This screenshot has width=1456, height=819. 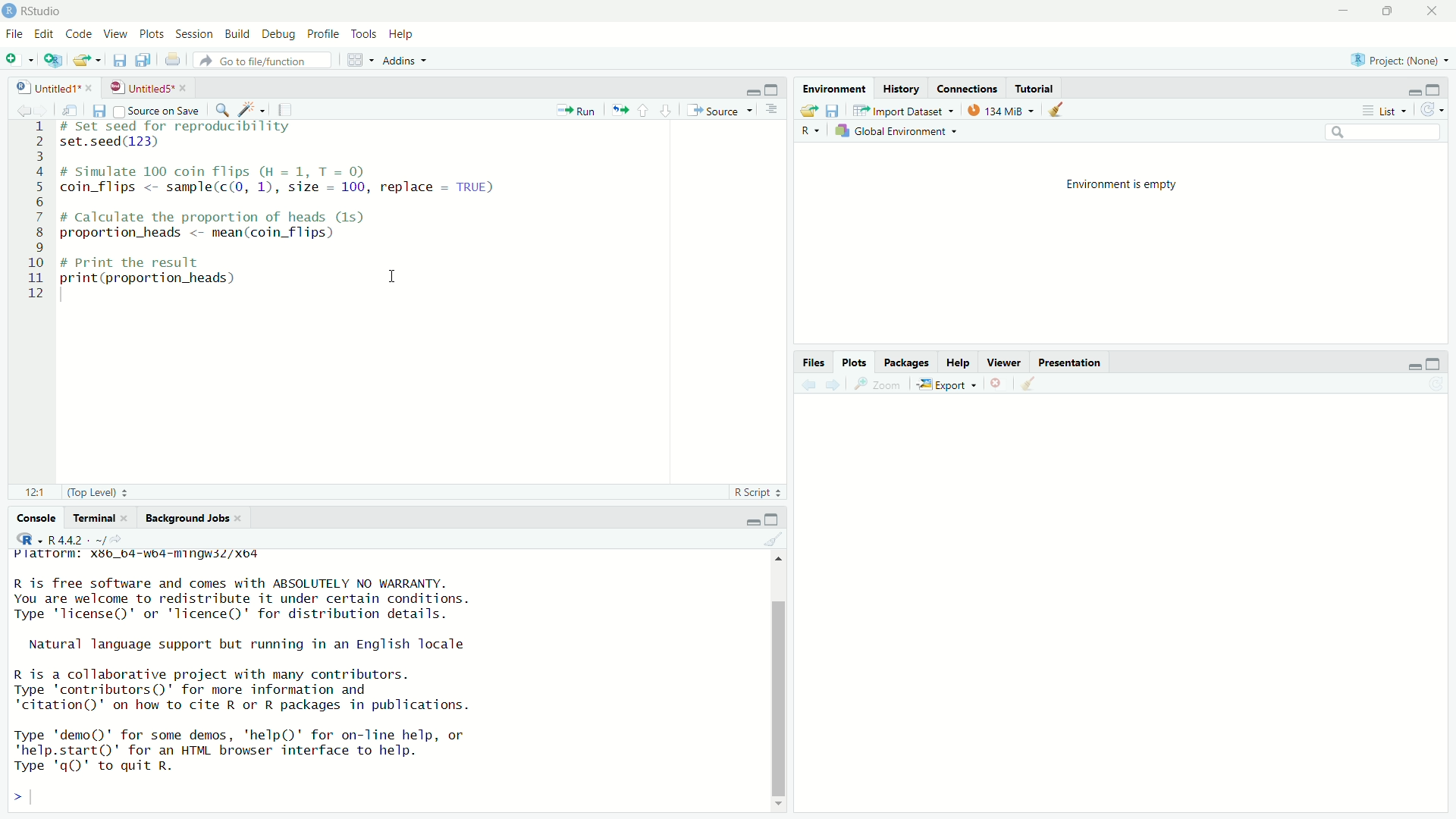 What do you see at coordinates (80, 33) in the screenshot?
I see `code` at bounding box center [80, 33].